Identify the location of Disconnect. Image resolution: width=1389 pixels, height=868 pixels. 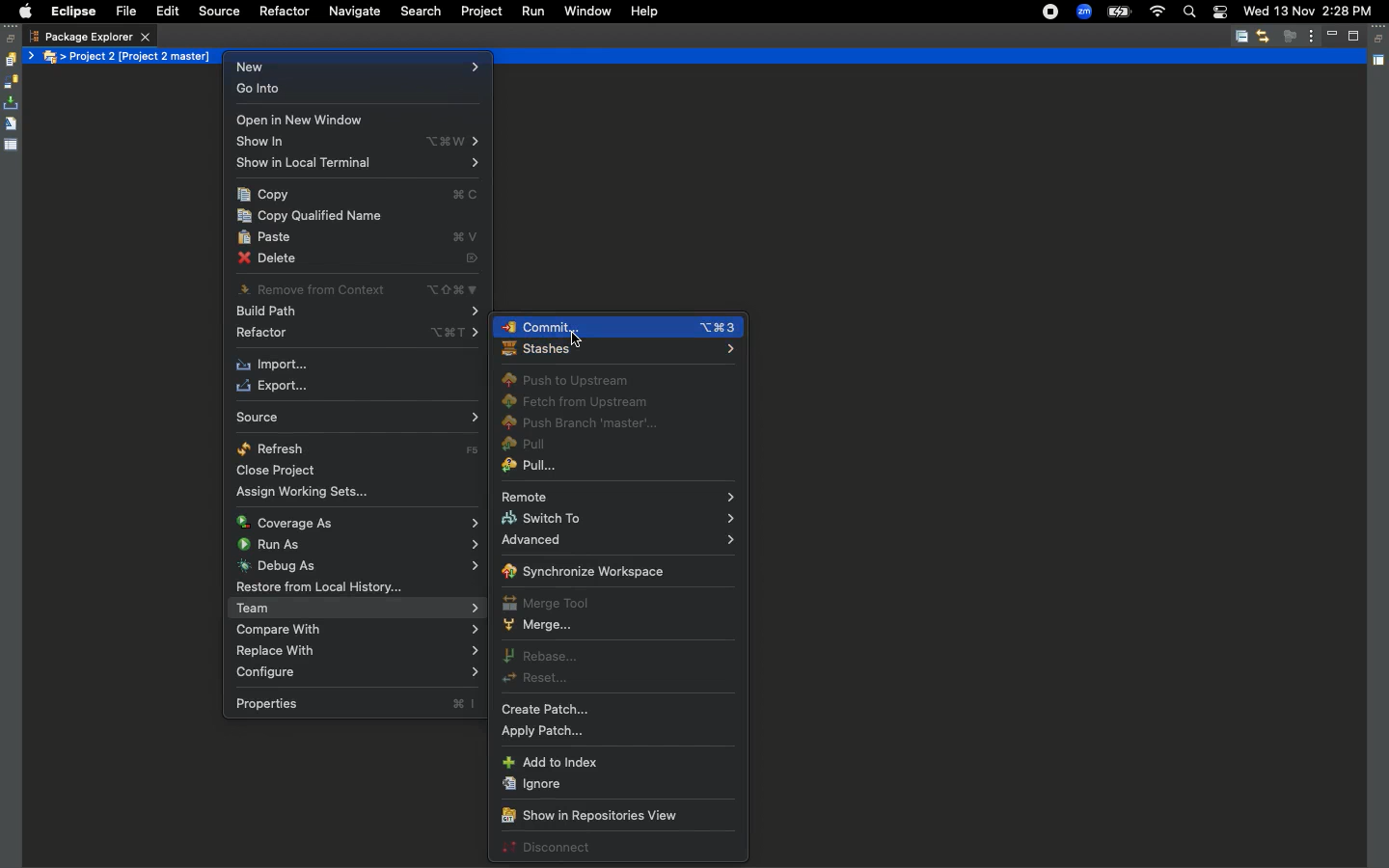
(556, 847).